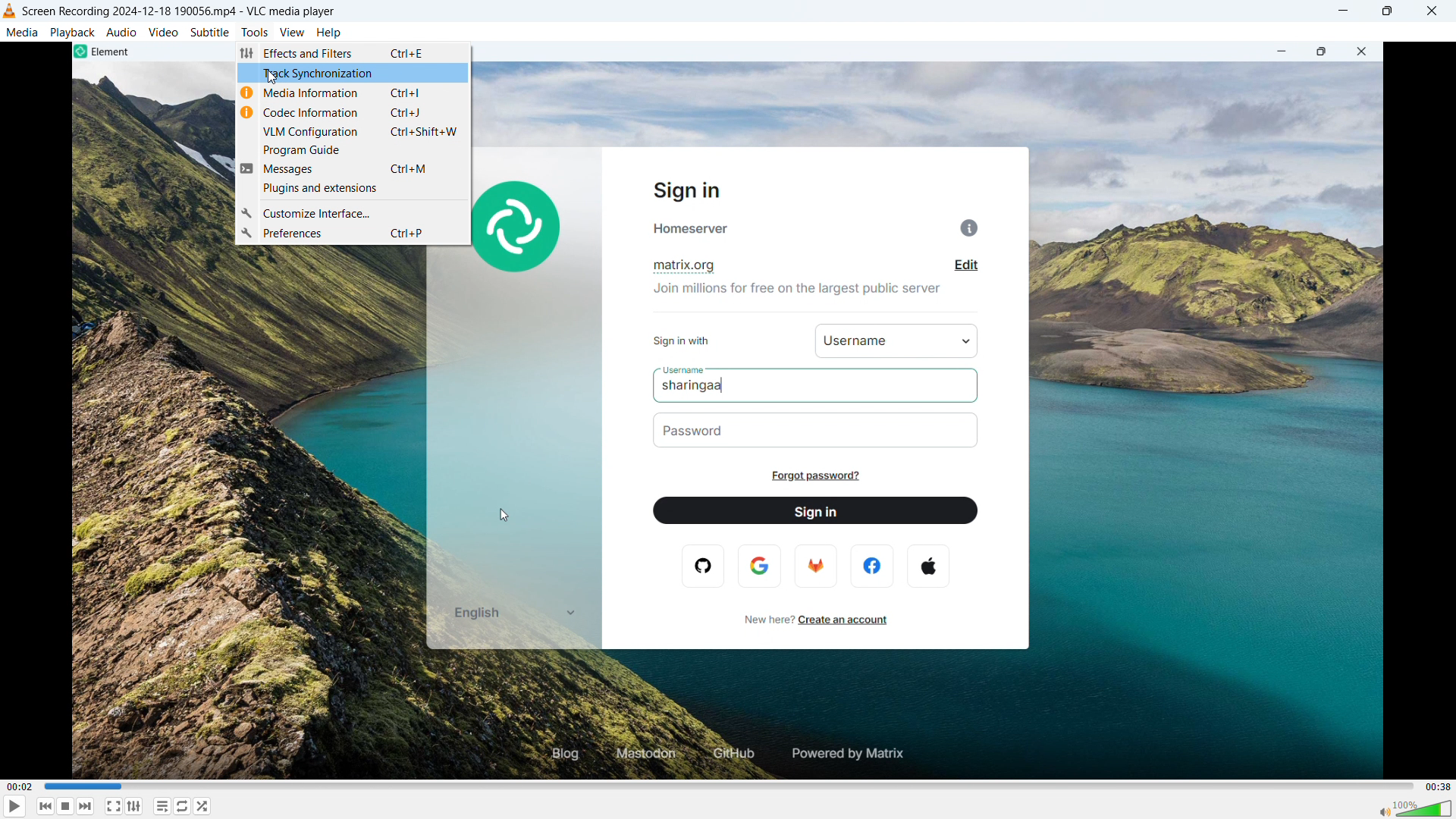 This screenshot has width=1456, height=819. What do you see at coordinates (353, 74) in the screenshot?
I see `track synchronization` at bounding box center [353, 74].